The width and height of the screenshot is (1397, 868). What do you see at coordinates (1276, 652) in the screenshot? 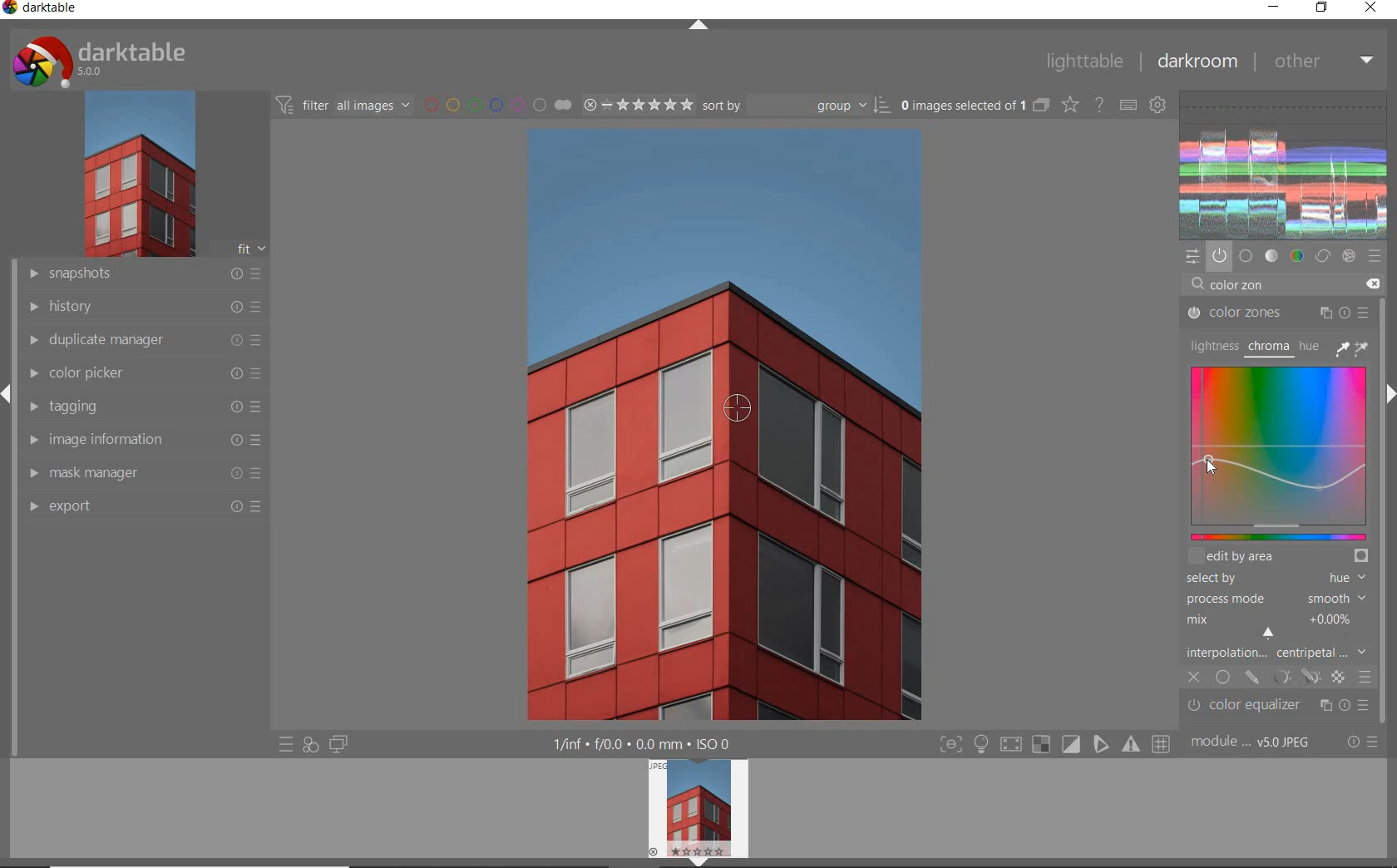
I see `INTERPOLATION` at bounding box center [1276, 652].